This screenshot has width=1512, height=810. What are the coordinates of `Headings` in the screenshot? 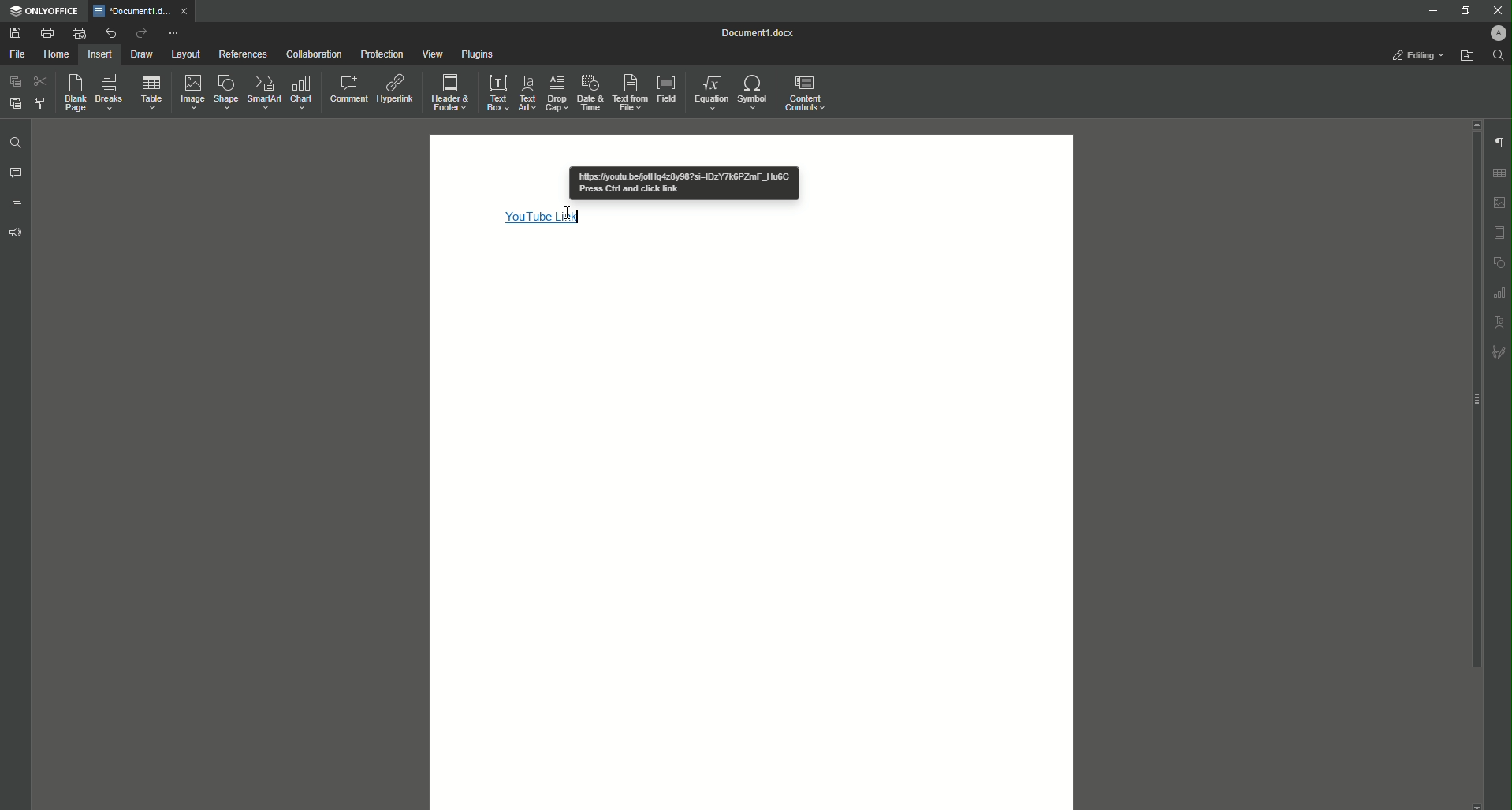 It's located at (16, 203).